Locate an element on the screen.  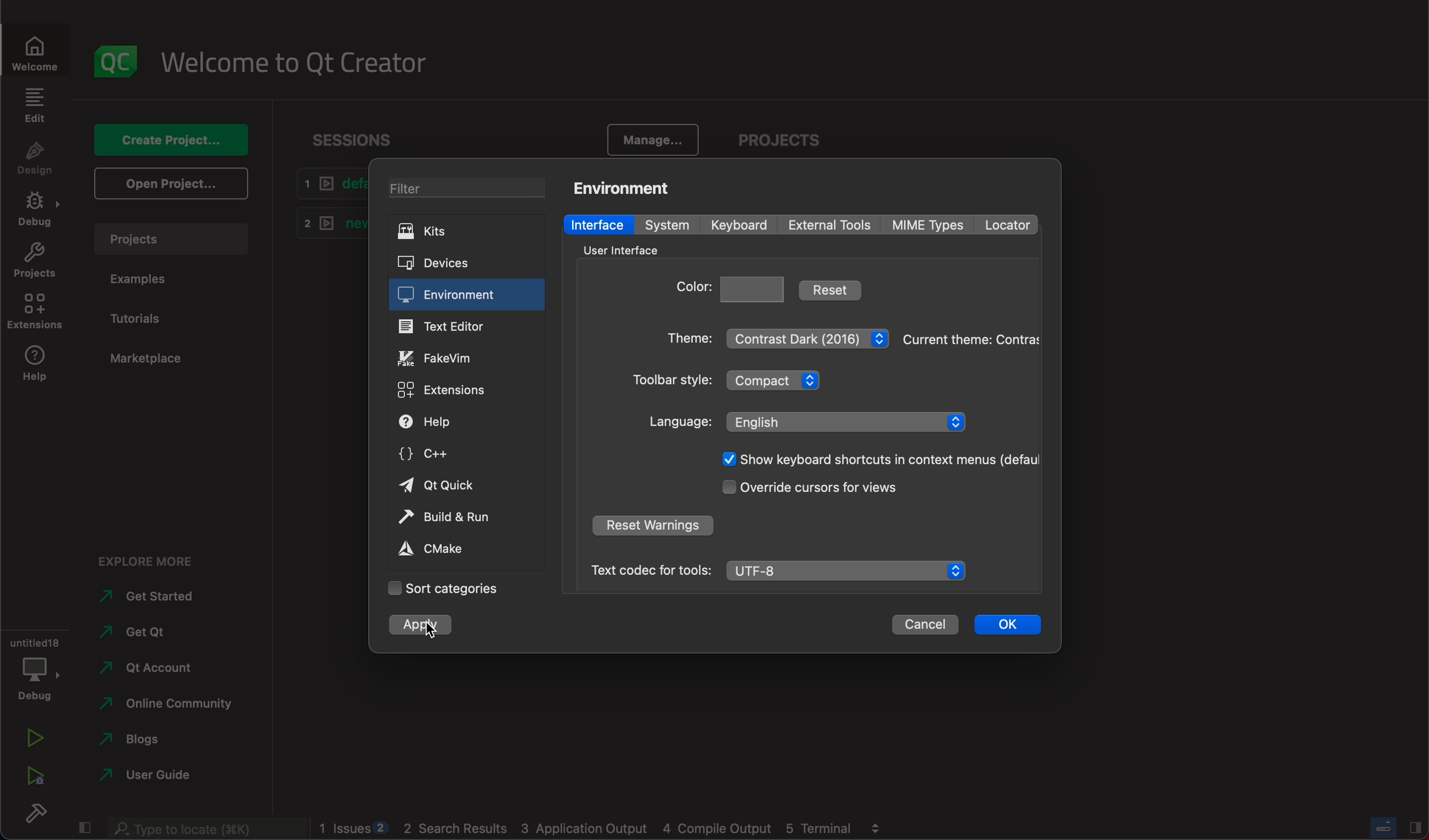
 is located at coordinates (874, 460).